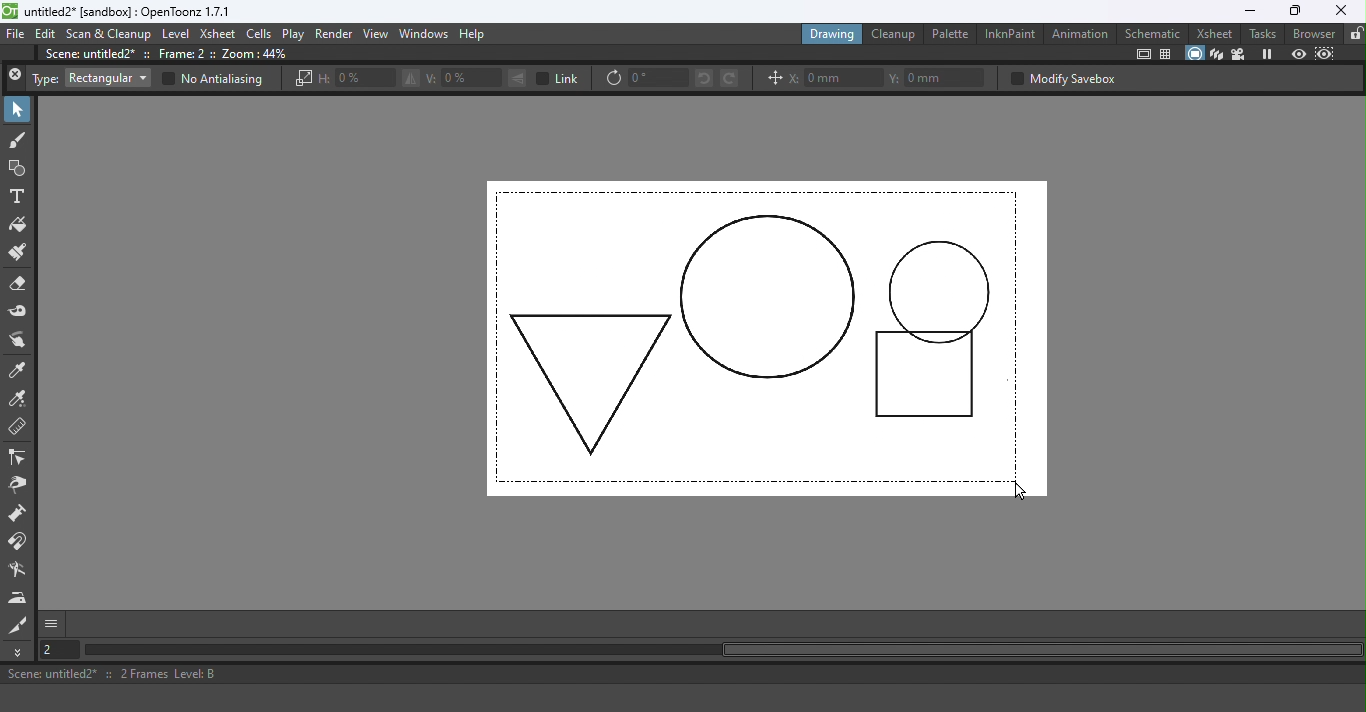 The width and height of the screenshot is (1366, 712). Describe the element at coordinates (657, 77) in the screenshot. I see `0` at that location.